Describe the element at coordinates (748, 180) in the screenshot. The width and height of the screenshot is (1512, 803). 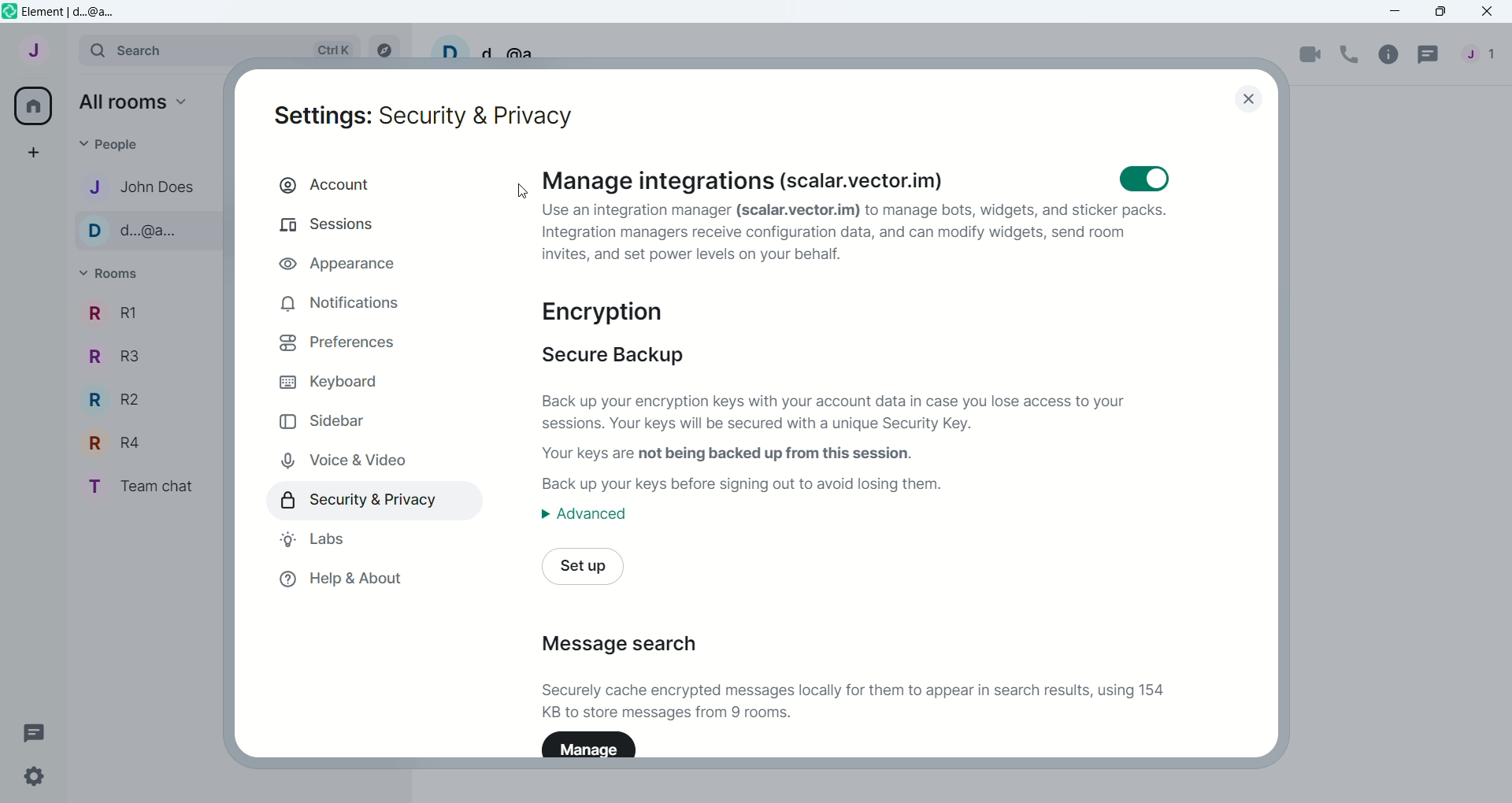
I see `Manage integrations (scalar.vector.im)` at that location.